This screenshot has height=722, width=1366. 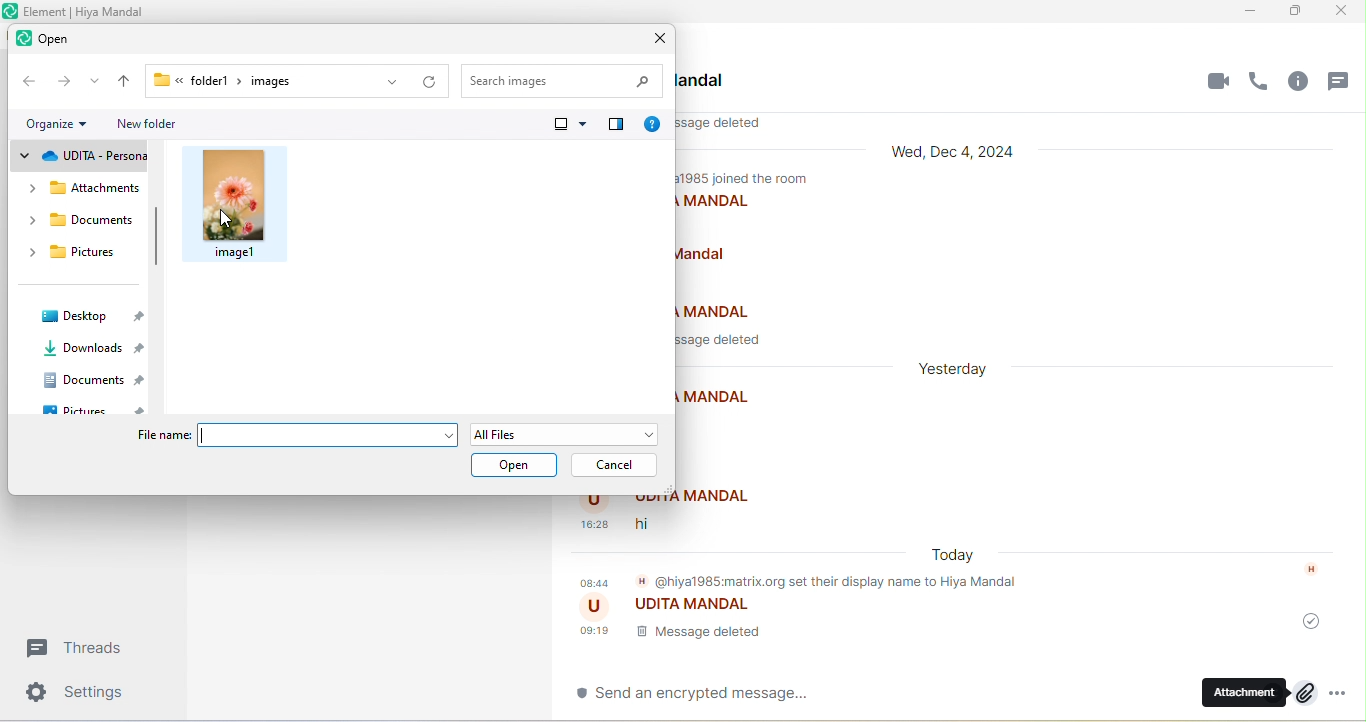 I want to click on search, so click(x=562, y=79).